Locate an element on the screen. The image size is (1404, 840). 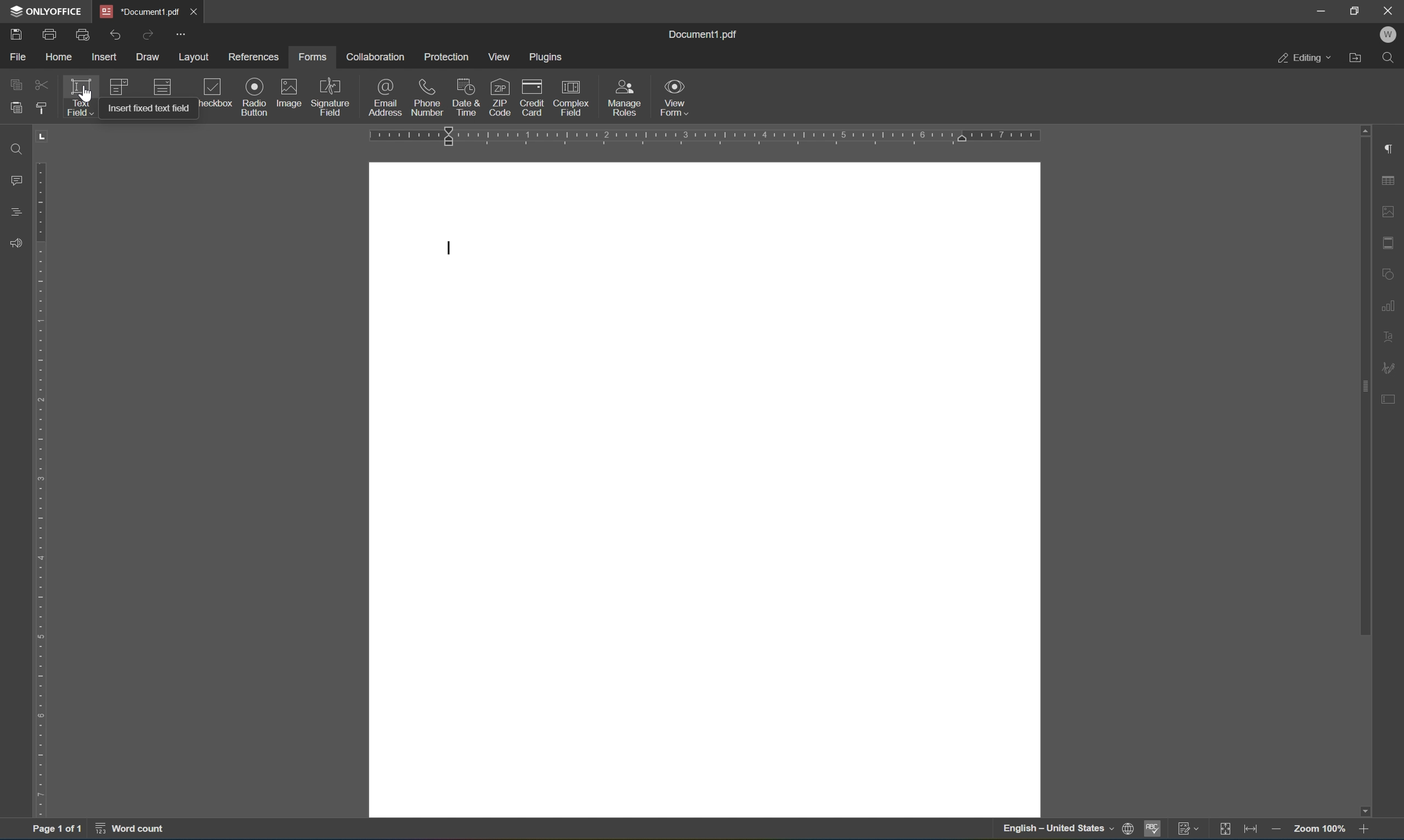
zoom out is located at coordinates (1278, 832).